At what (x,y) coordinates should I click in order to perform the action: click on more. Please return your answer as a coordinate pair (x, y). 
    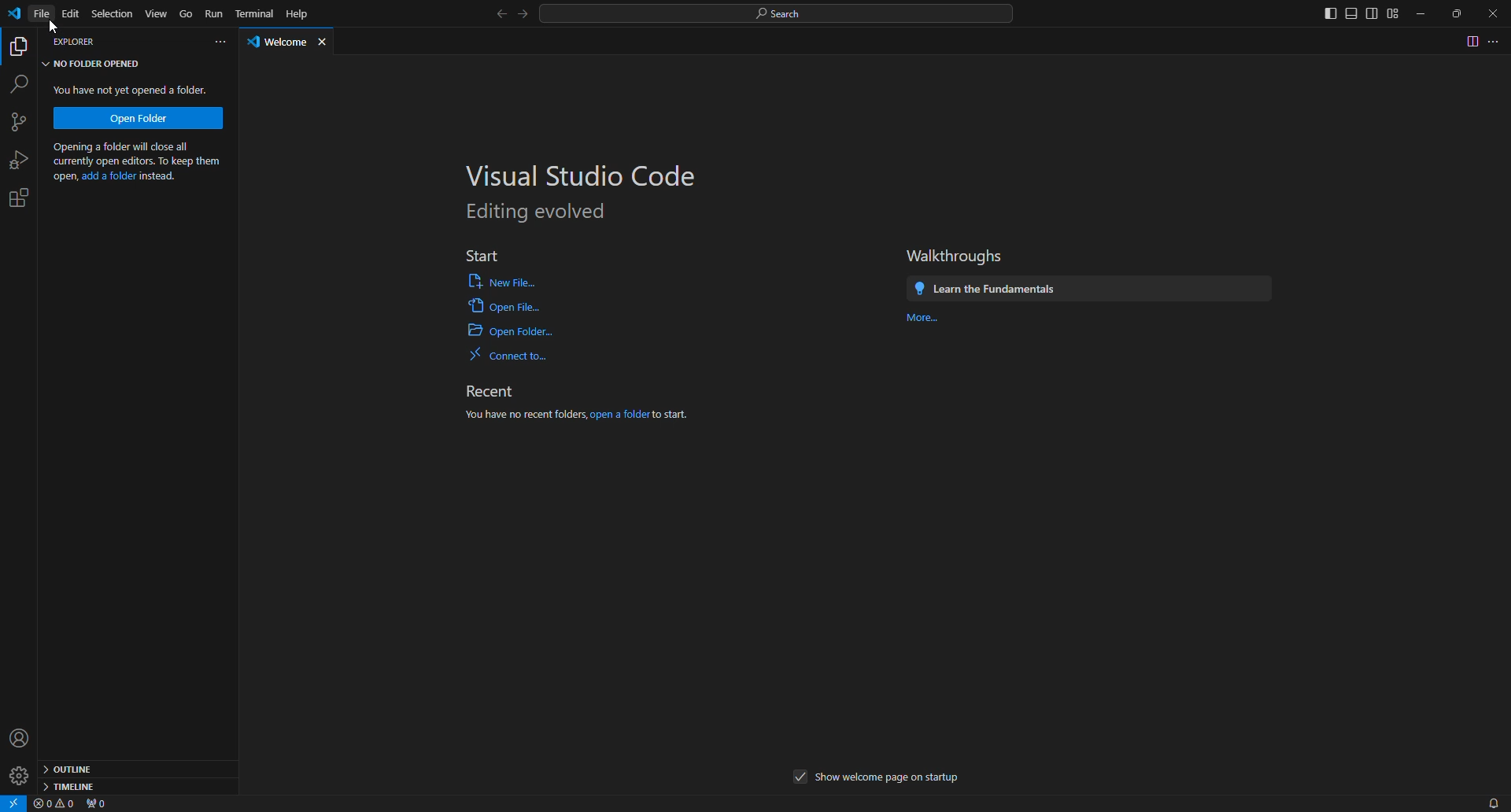
    Looking at the image, I should click on (927, 320).